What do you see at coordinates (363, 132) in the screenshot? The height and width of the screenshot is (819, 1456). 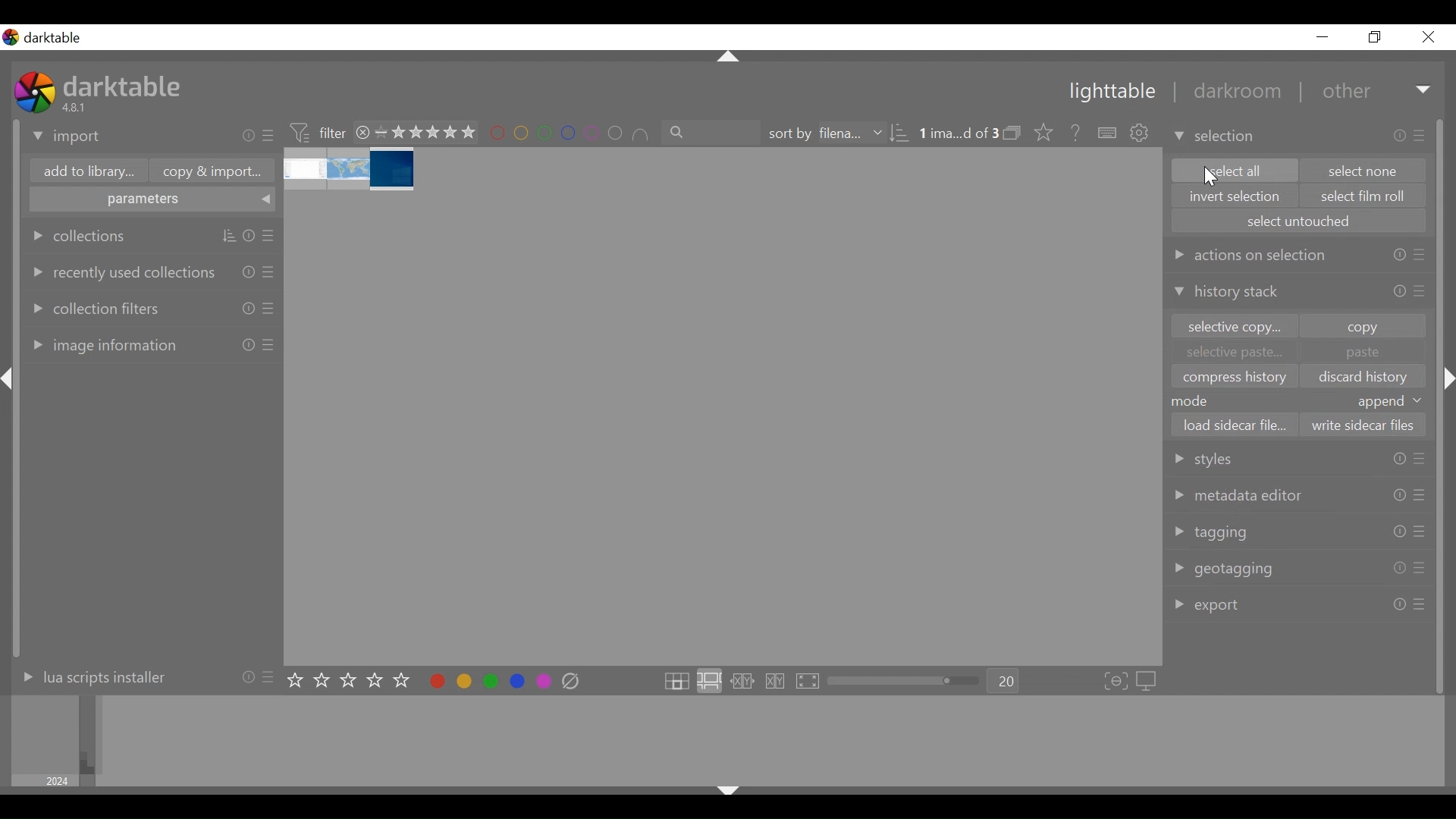 I see `close` at bounding box center [363, 132].